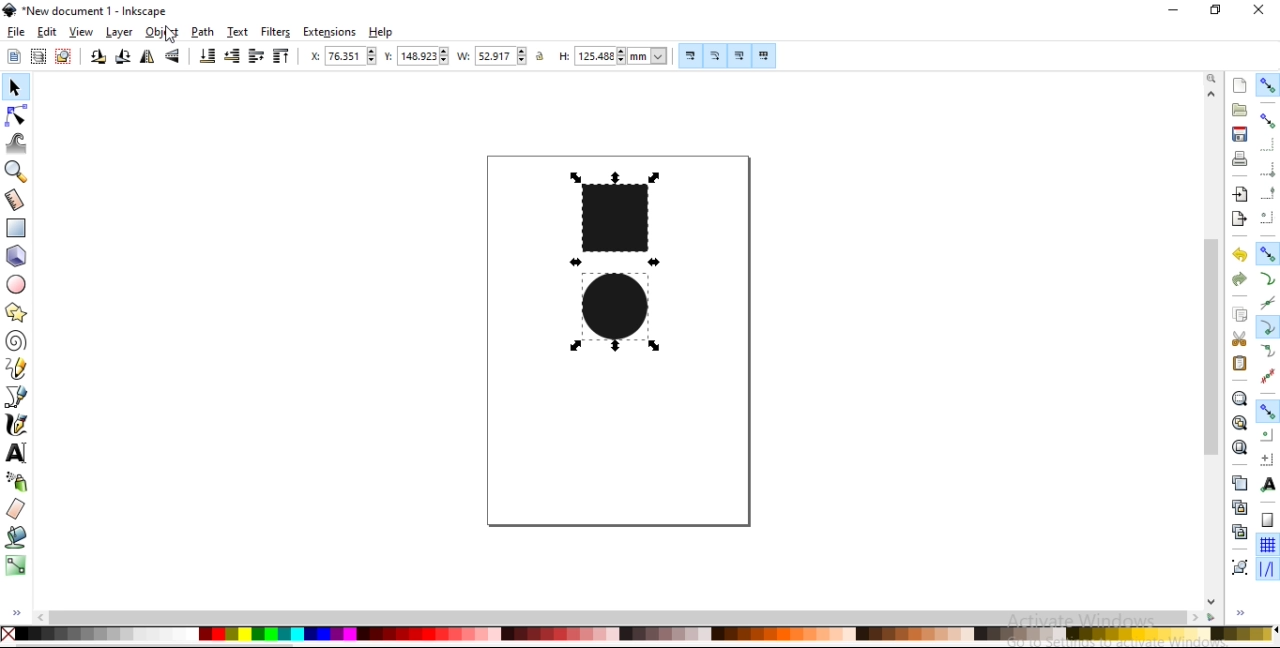 The height and width of the screenshot is (648, 1280). I want to click on horizontal coordinate of selection, so click(342, 57).